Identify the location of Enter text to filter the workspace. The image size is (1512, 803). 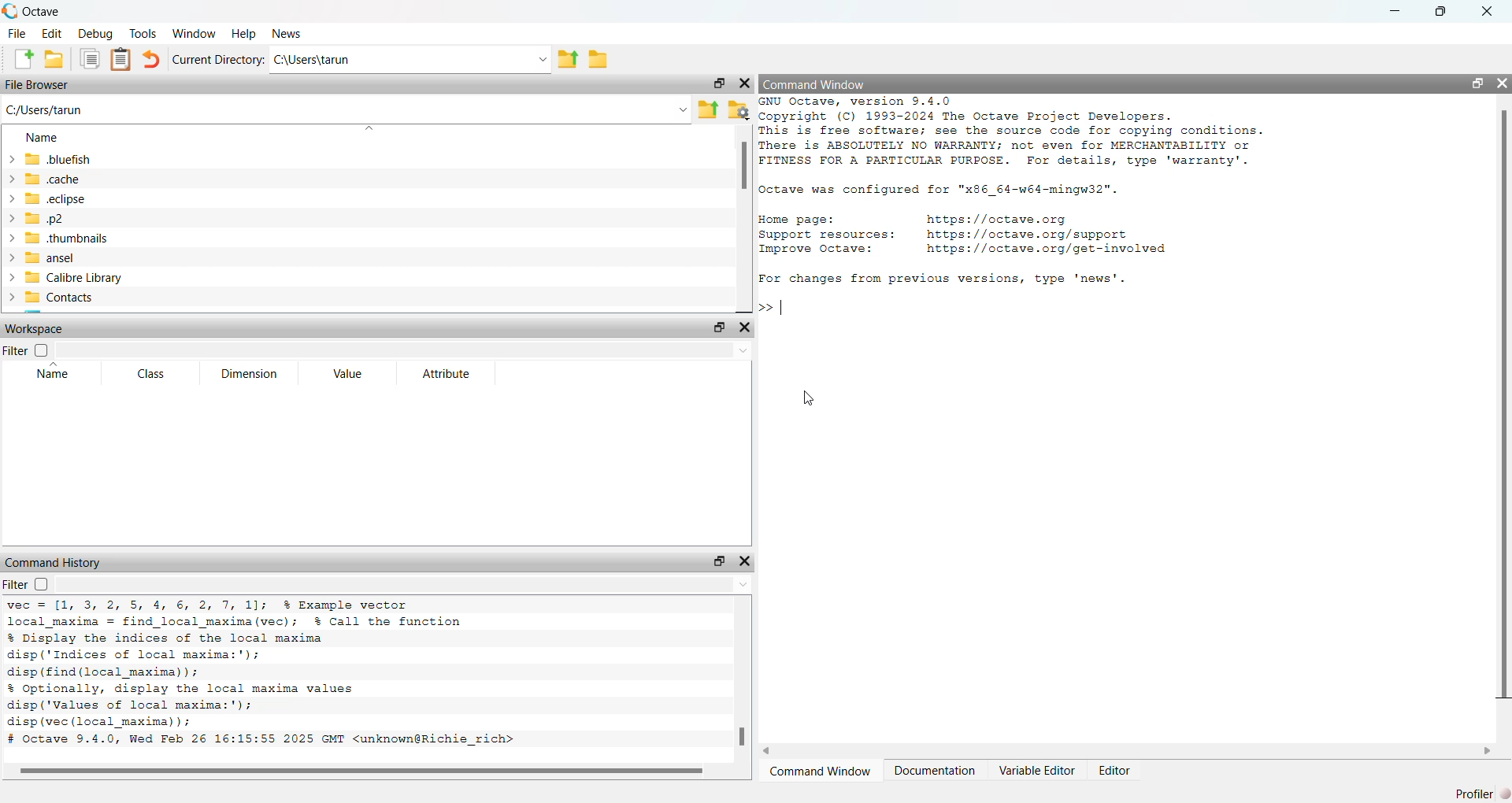
(405, 350).